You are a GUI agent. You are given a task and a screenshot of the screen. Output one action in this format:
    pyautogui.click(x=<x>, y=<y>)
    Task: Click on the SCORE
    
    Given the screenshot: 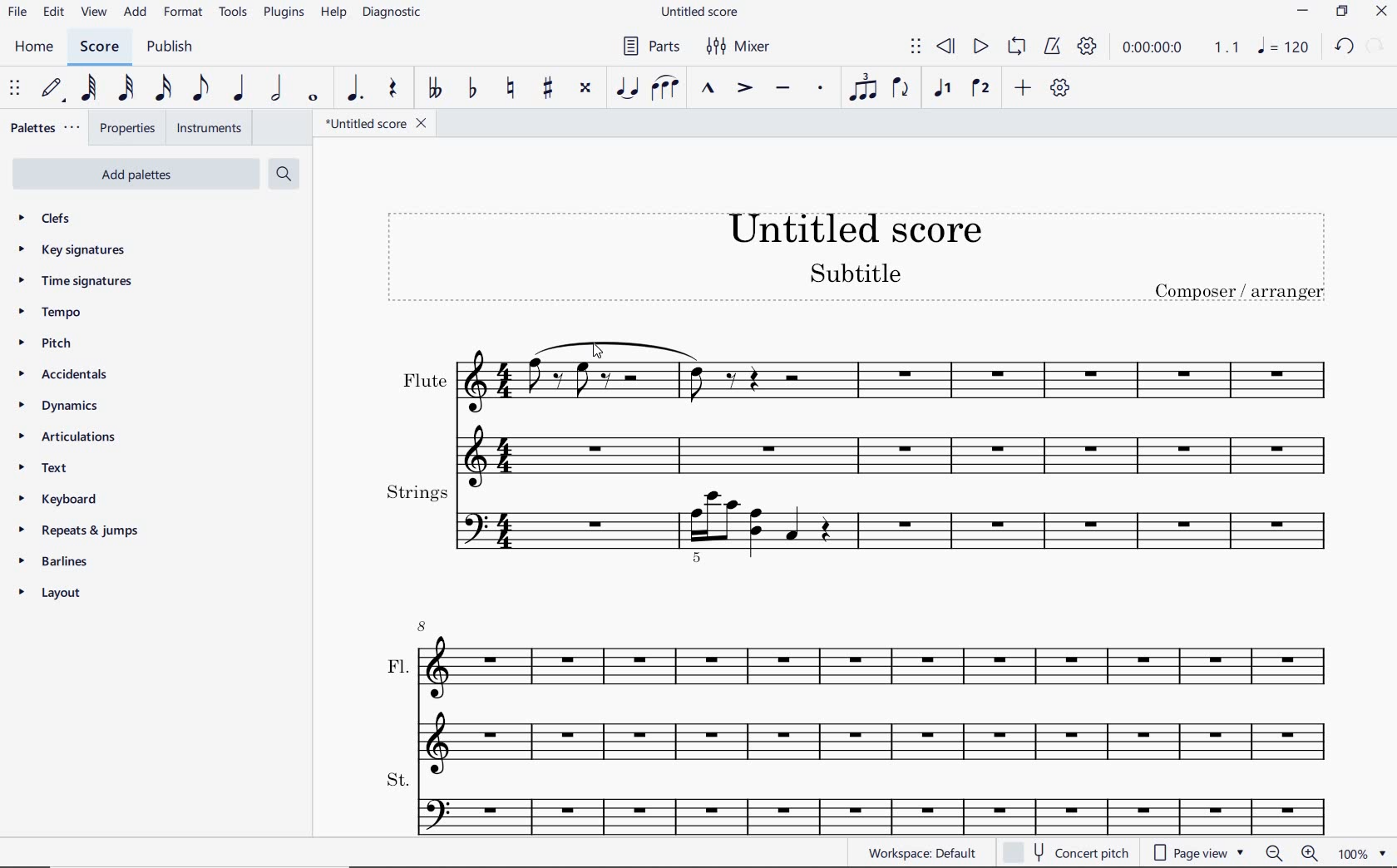 What is the action you would take?
    pyautogui.click(x=106, y=46)
    